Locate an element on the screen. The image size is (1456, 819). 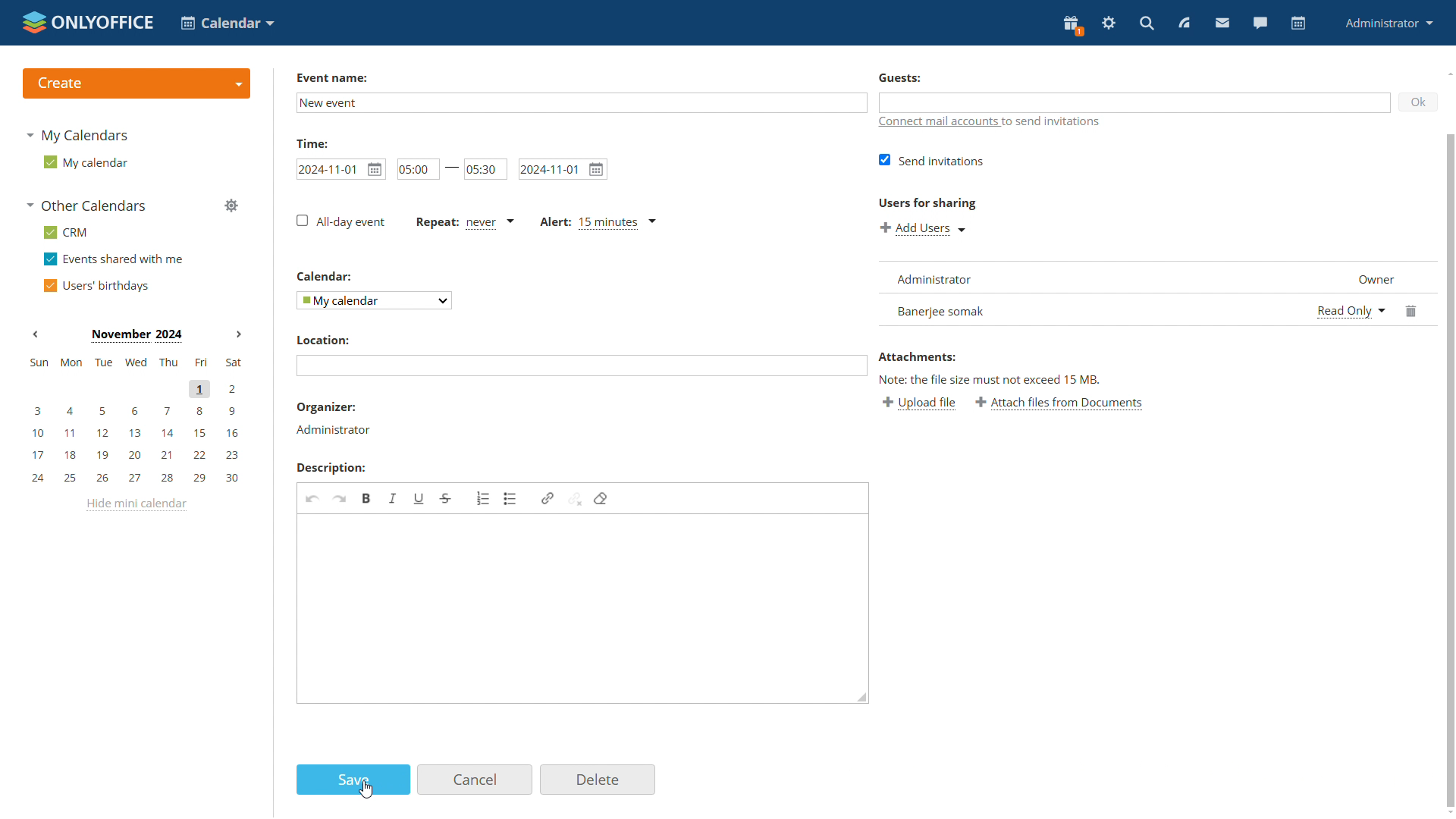
o K is located at coordinates (1419, 102).